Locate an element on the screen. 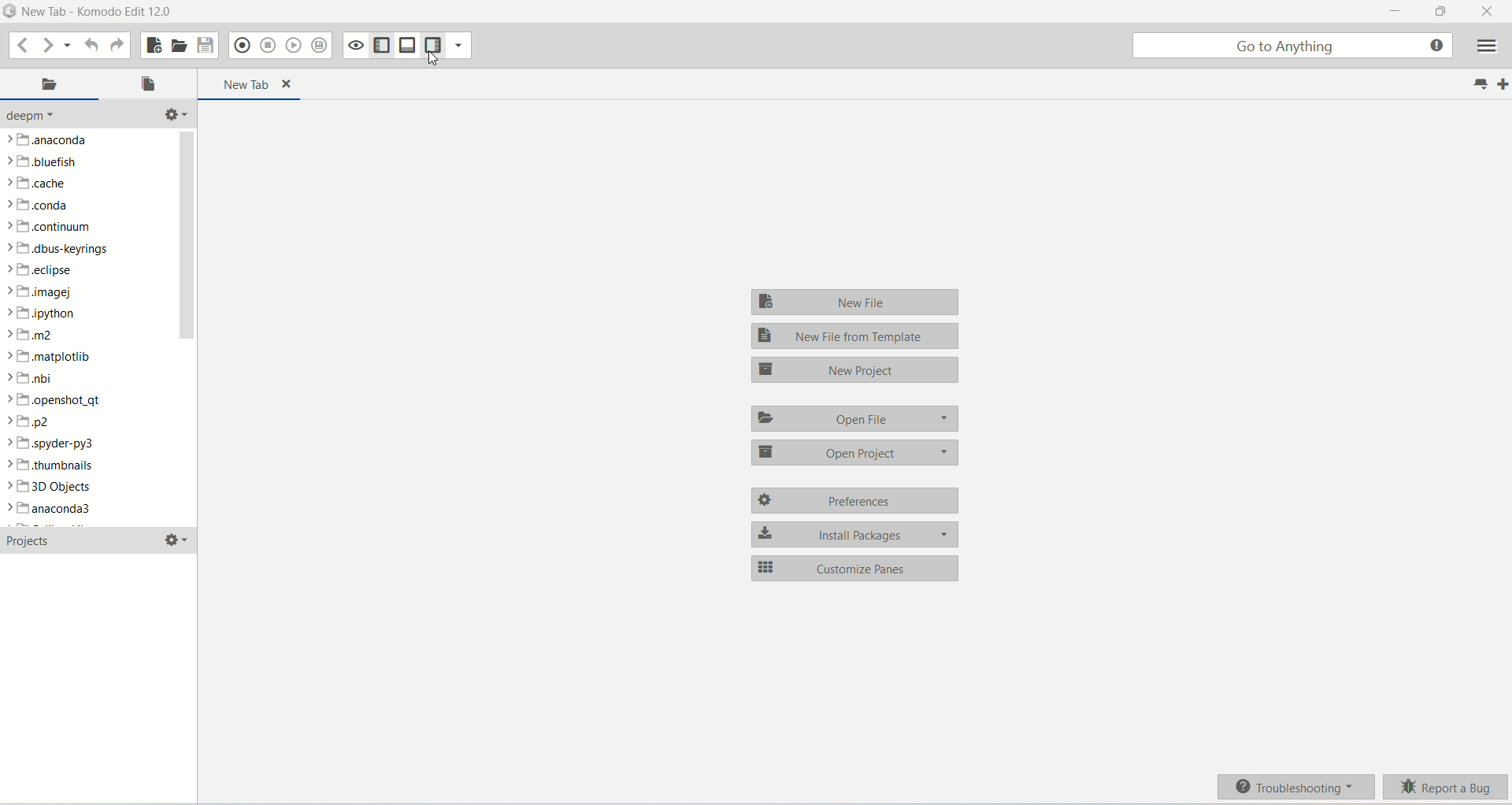  new file is located at coordinates (858, 302).